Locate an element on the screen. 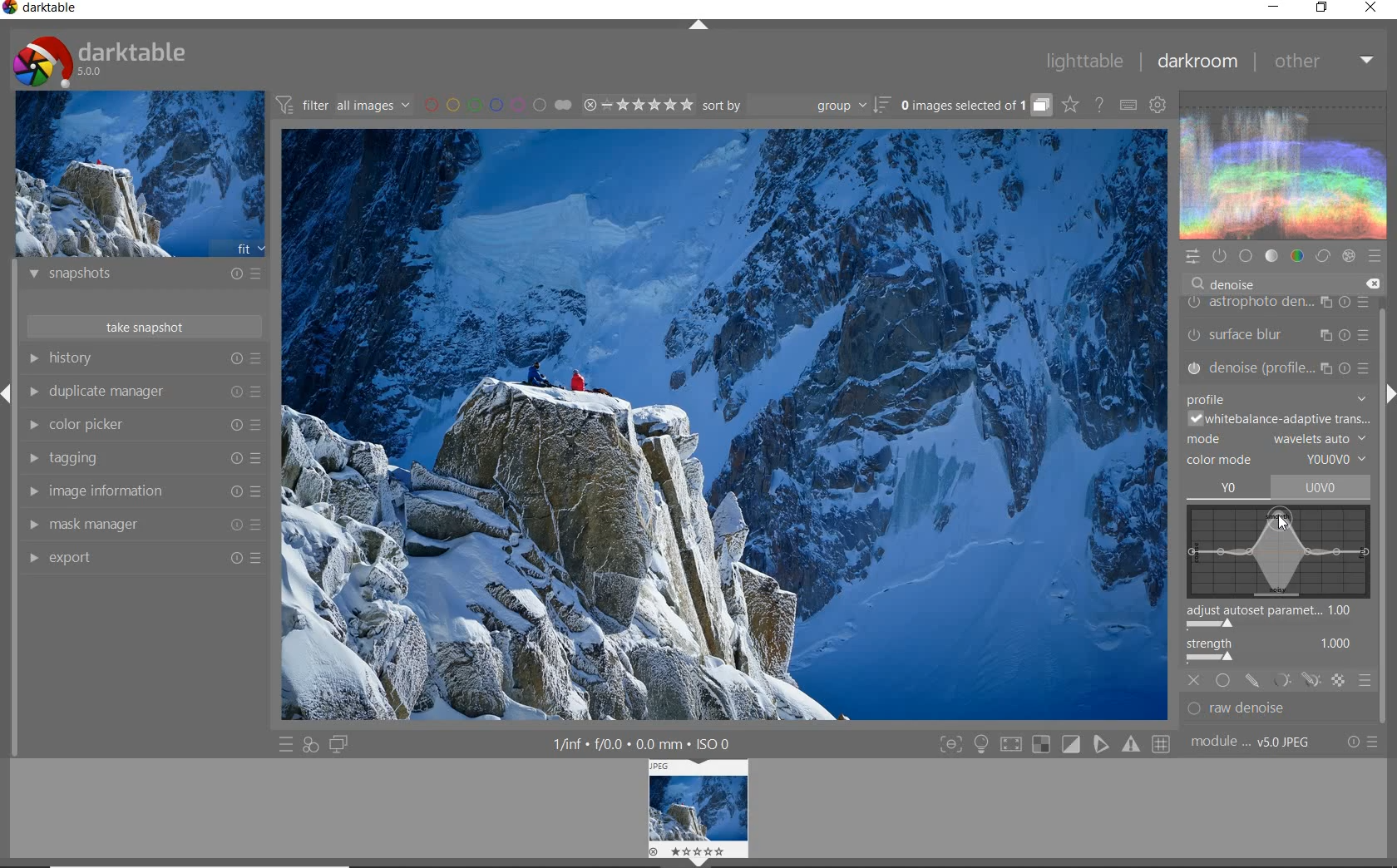  tagging is located at coordinates (143, 459).